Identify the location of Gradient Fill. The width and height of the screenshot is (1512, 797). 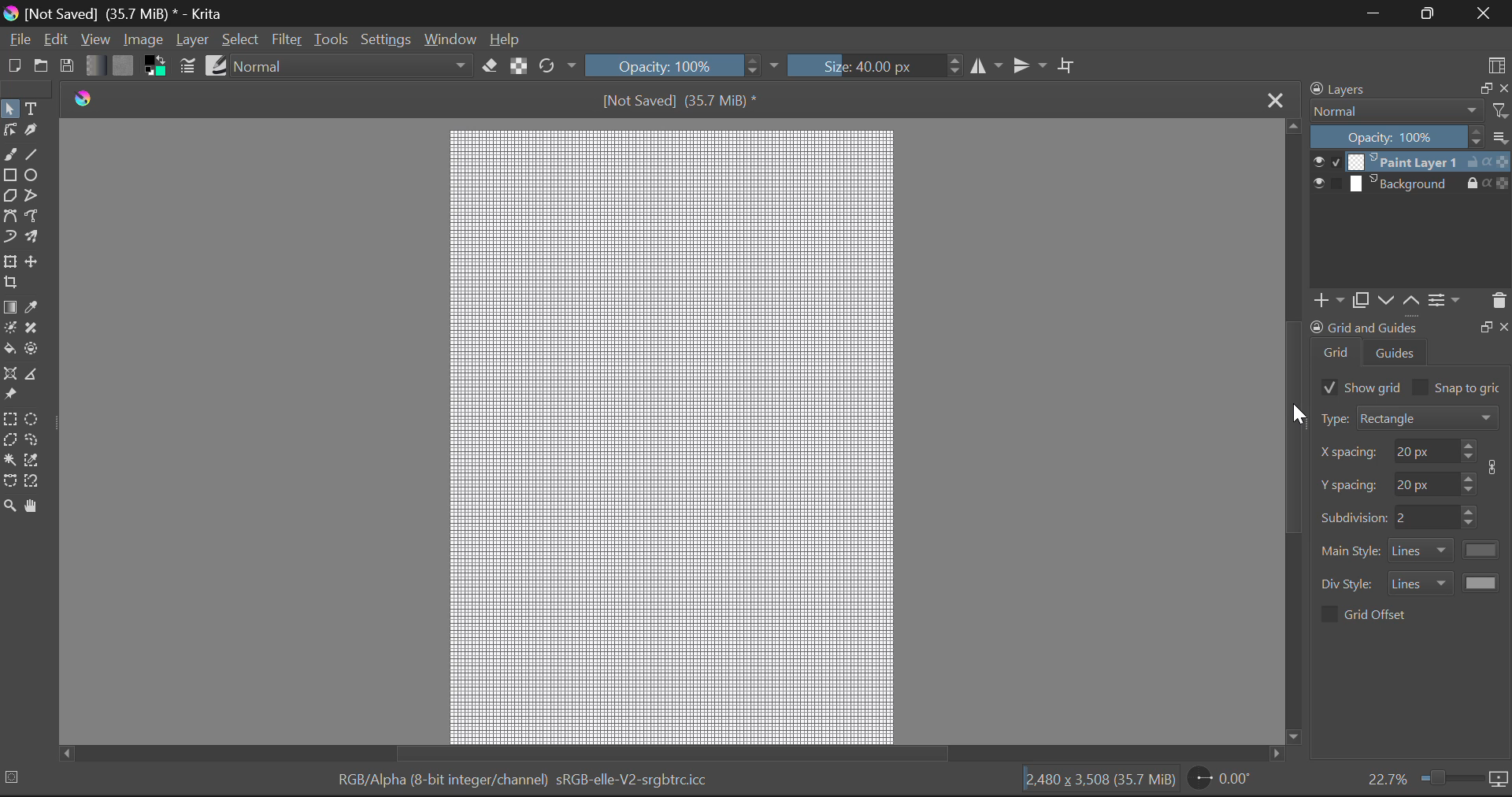
(9, 308).